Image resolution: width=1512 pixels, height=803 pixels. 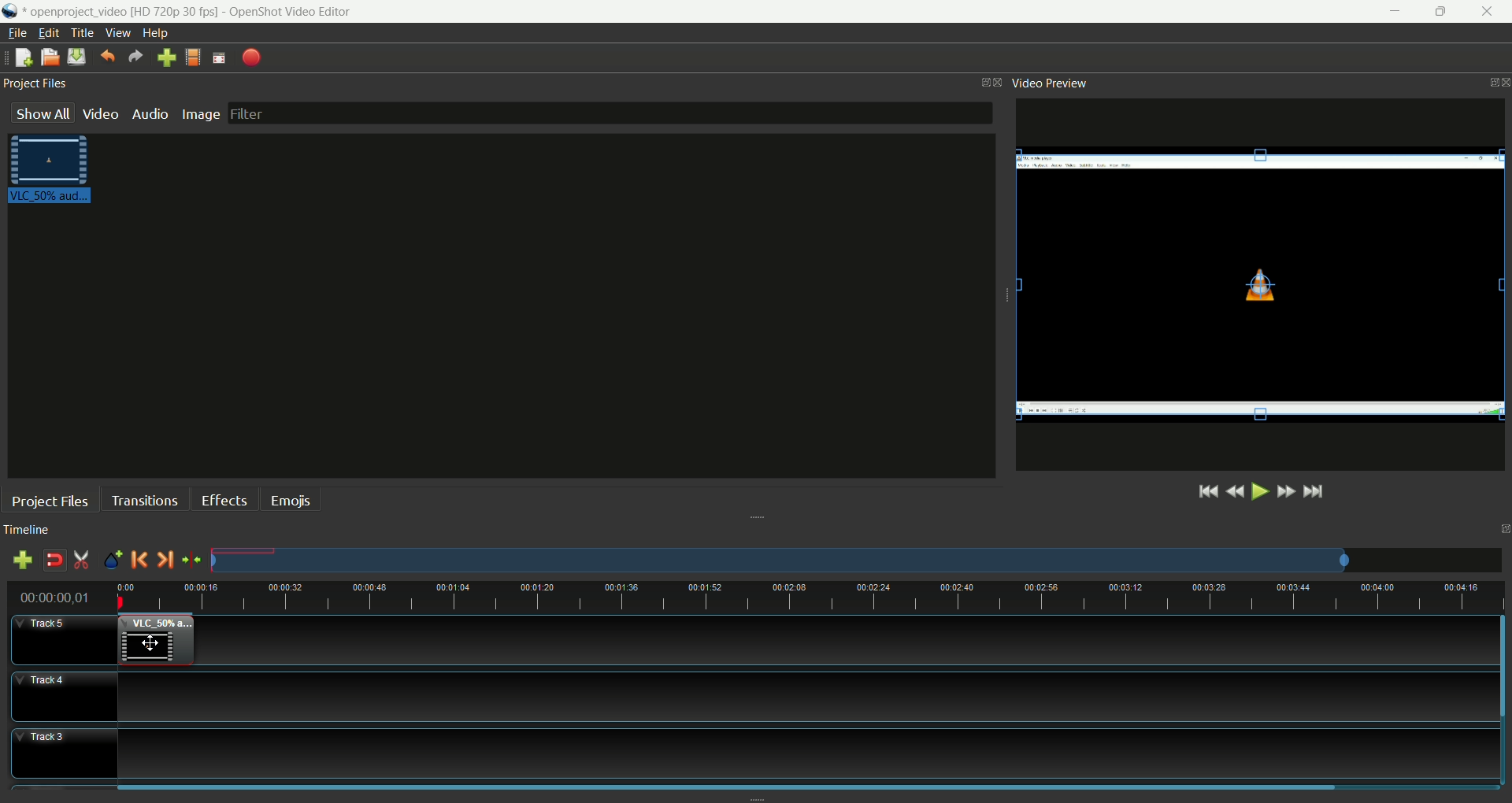 I want to click on video preview, so click(x=1055, y=83).